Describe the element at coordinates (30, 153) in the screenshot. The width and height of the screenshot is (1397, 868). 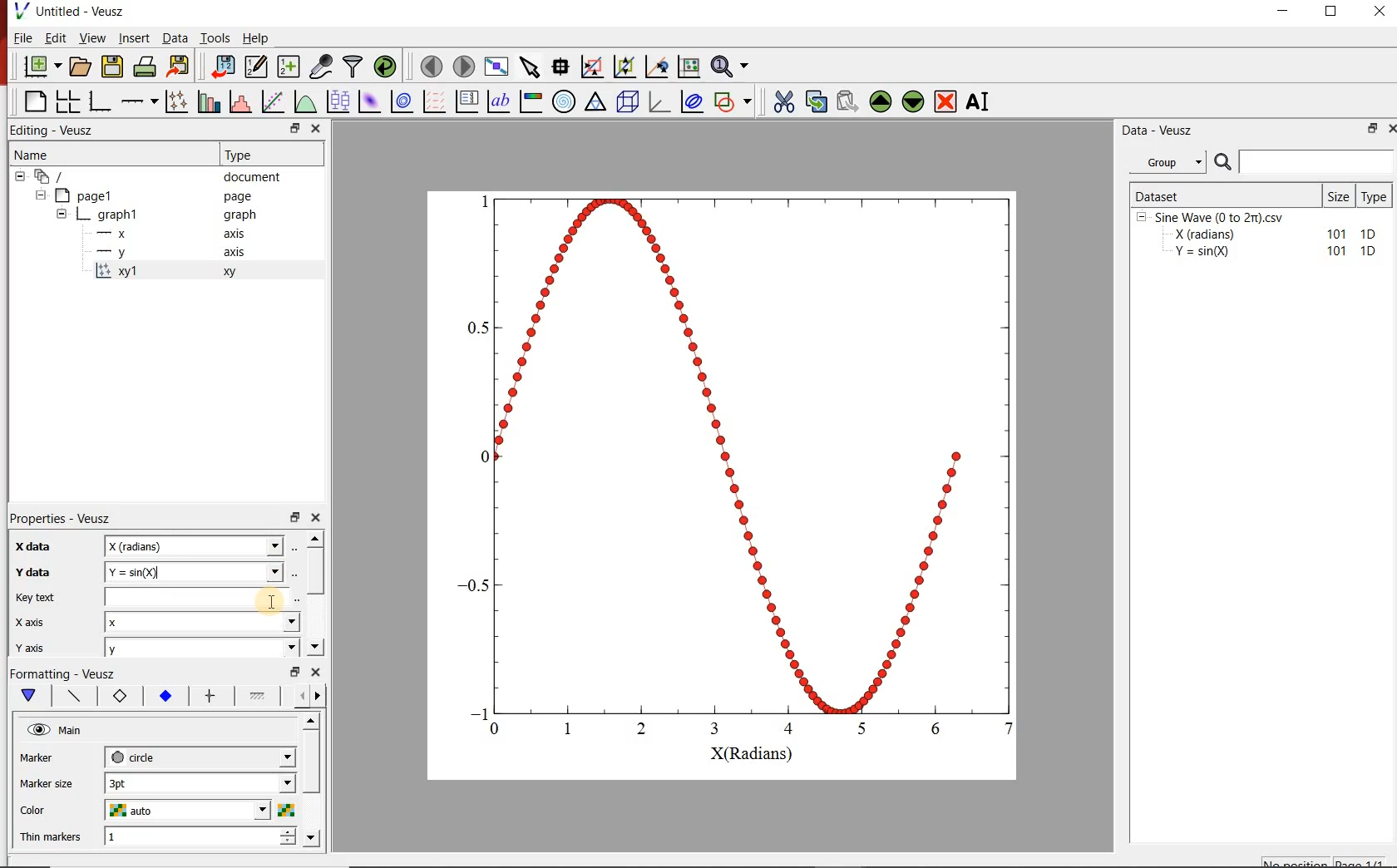
I see `Name` at that location.